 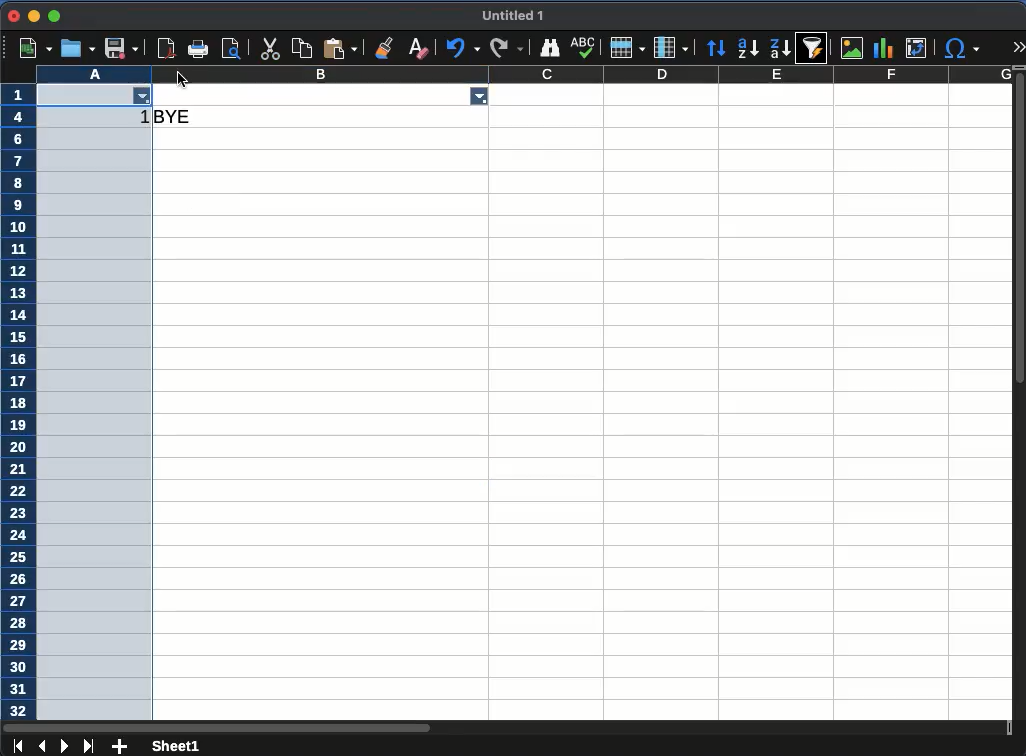 What do you see at coordinates (268, 49) in the screenshot?
I see `cut` at bounding box center [268, 49].